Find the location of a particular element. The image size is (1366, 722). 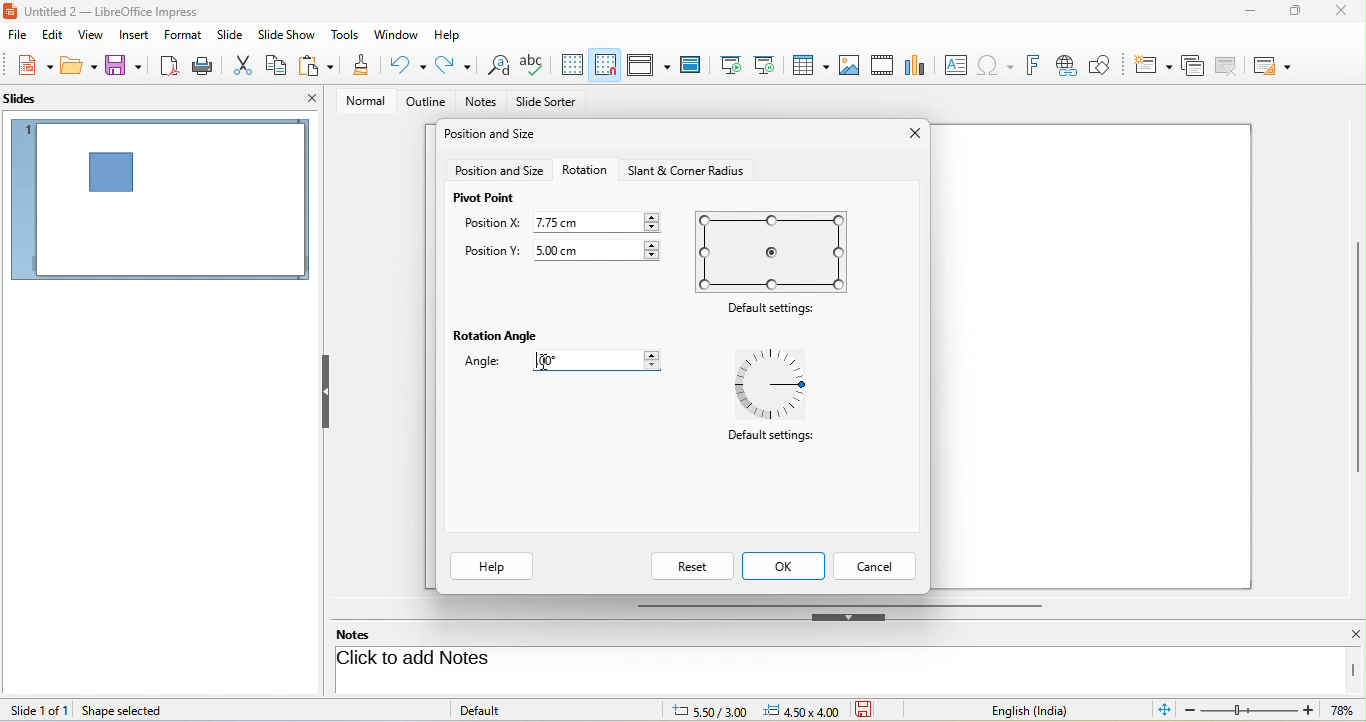

minimize is located at coordinates (1246, 14).